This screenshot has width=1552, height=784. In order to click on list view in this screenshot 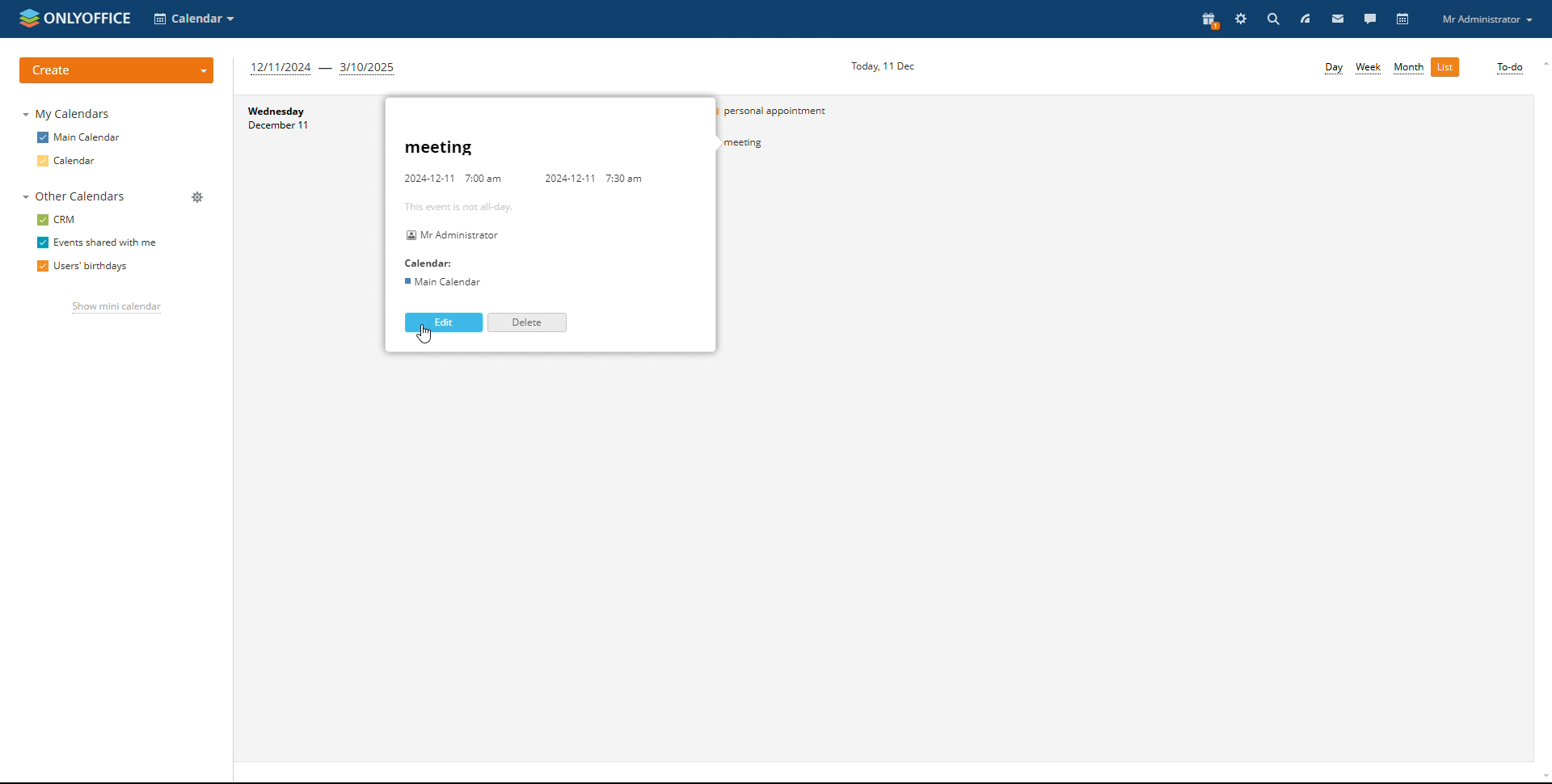, I will do `click(1445, 67)`.